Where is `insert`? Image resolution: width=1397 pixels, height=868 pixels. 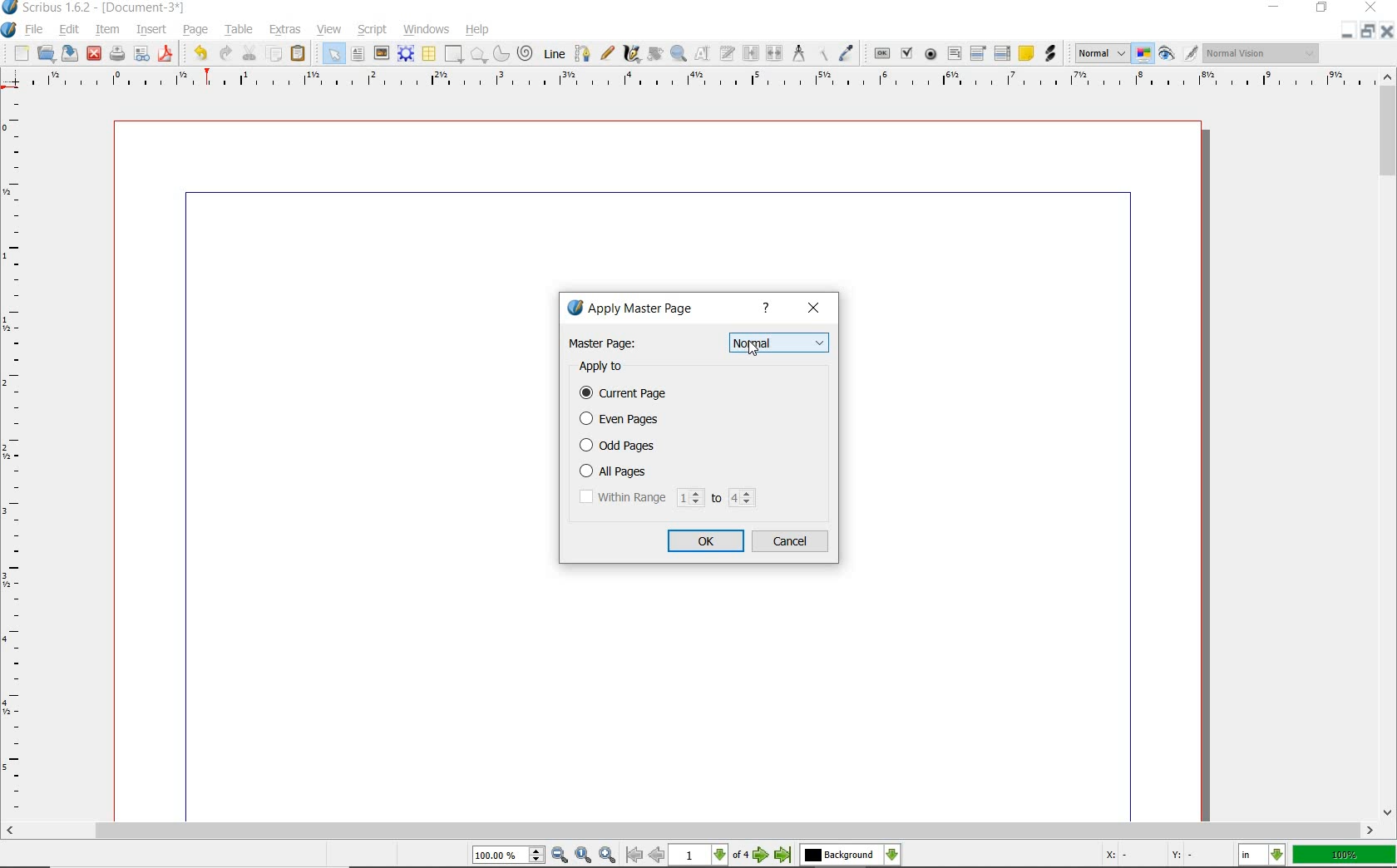
insert is located at coordinates (151, 30).